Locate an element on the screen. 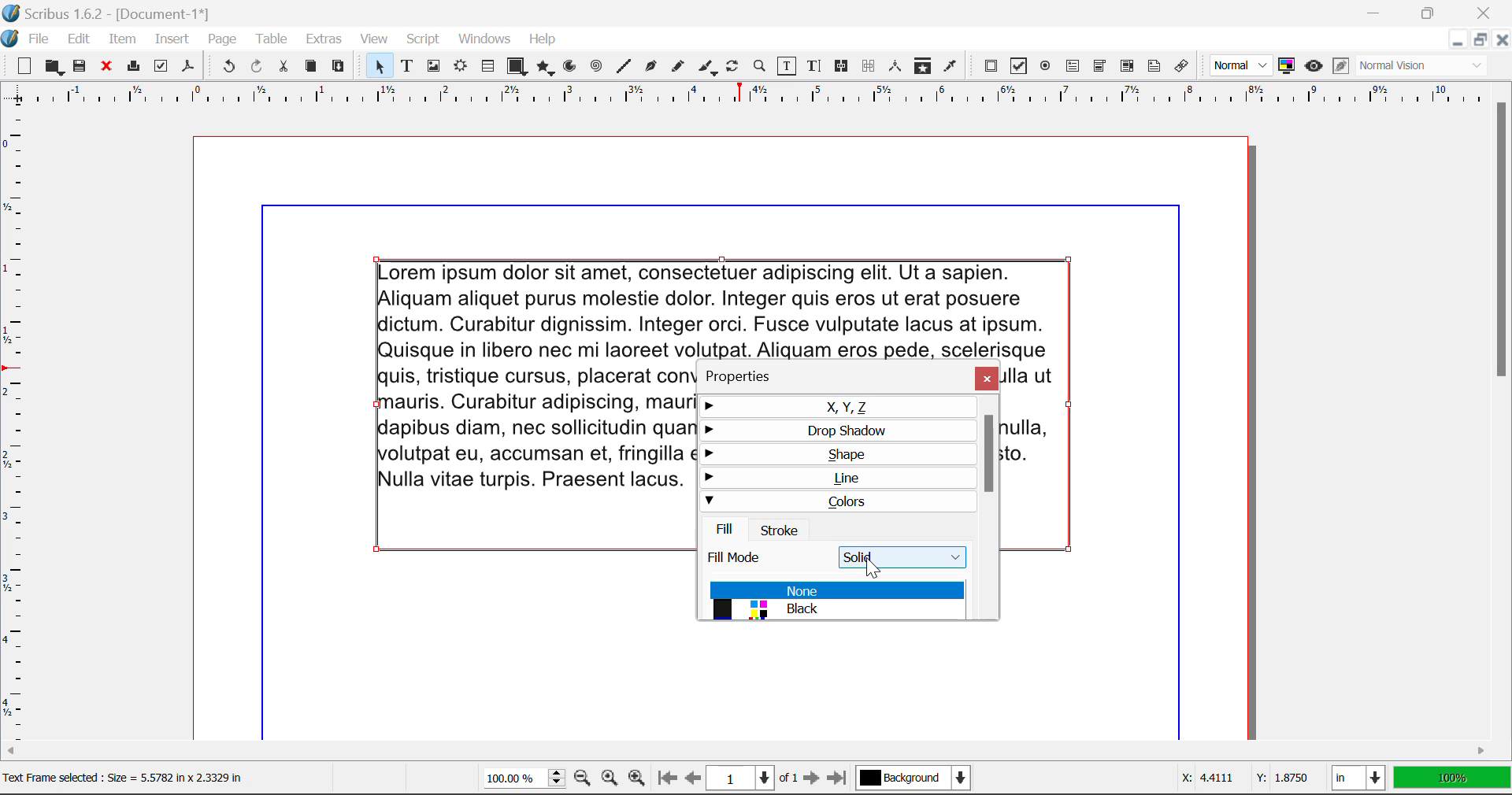 The height and width of the screenshot is (795, 1512). Fill Mode is located at coordinates (837, 557).